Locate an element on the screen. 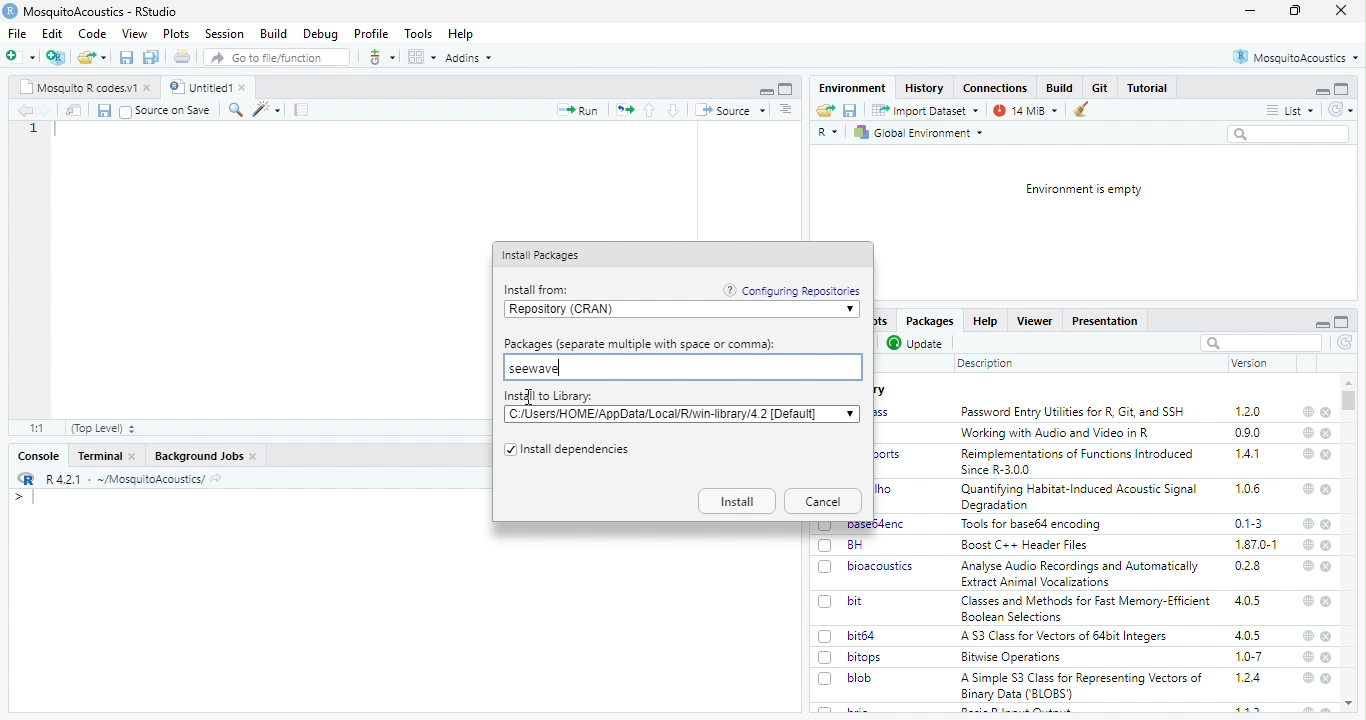  checkbox is located at coordinates (826, 658).